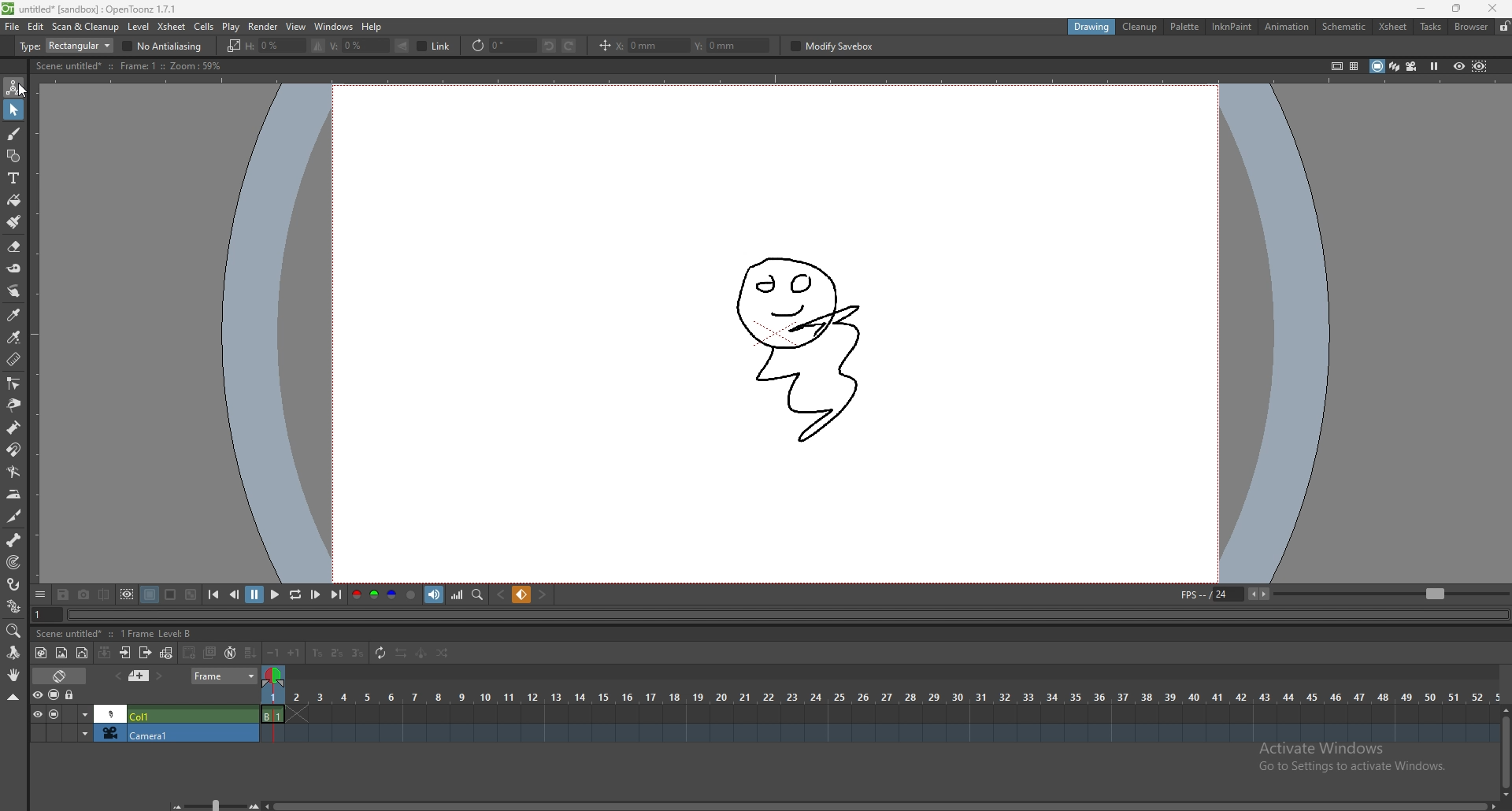  What do you see at coordinates (1093, 26) in the screenshot?
I see `drawing` at bounding box center [1093, 26].